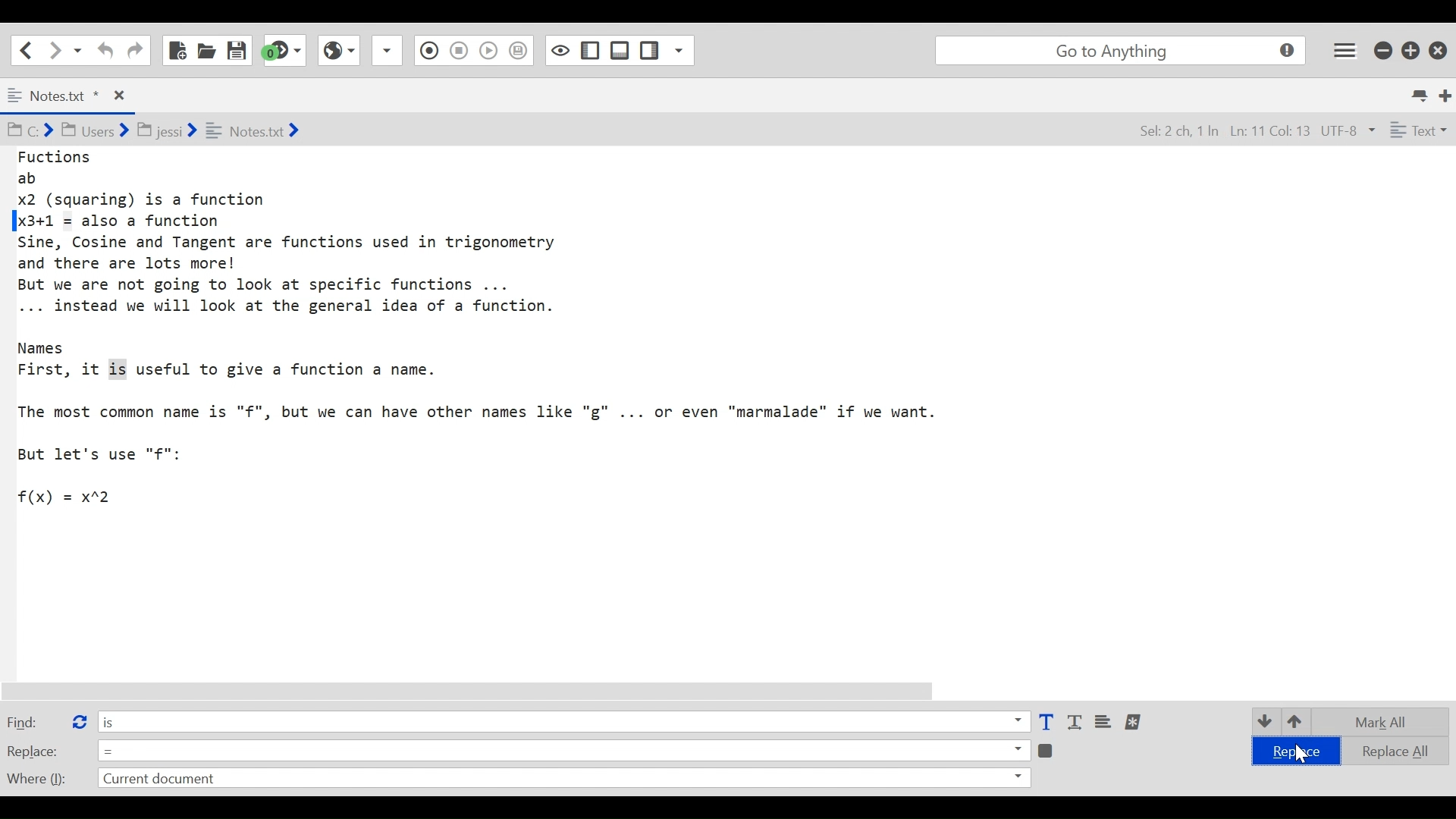 Image resolution: width=1456 pixels, height=819 pixels. What do you see at coordinates (1446, 94) in the screenshot?
I see `New Tab` at bounding box center [1446, 94].